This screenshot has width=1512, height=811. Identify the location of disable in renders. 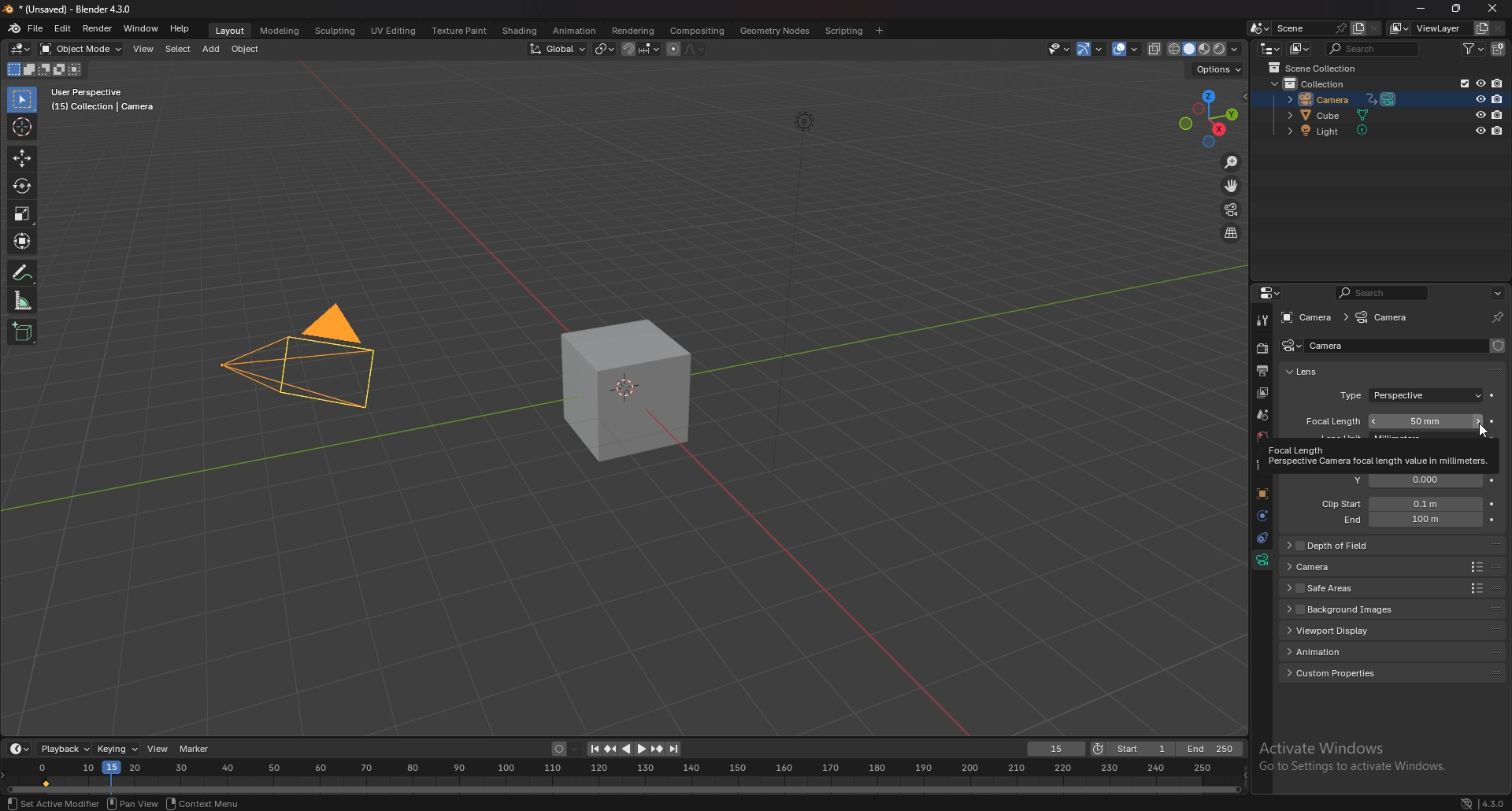
(1496, 99).